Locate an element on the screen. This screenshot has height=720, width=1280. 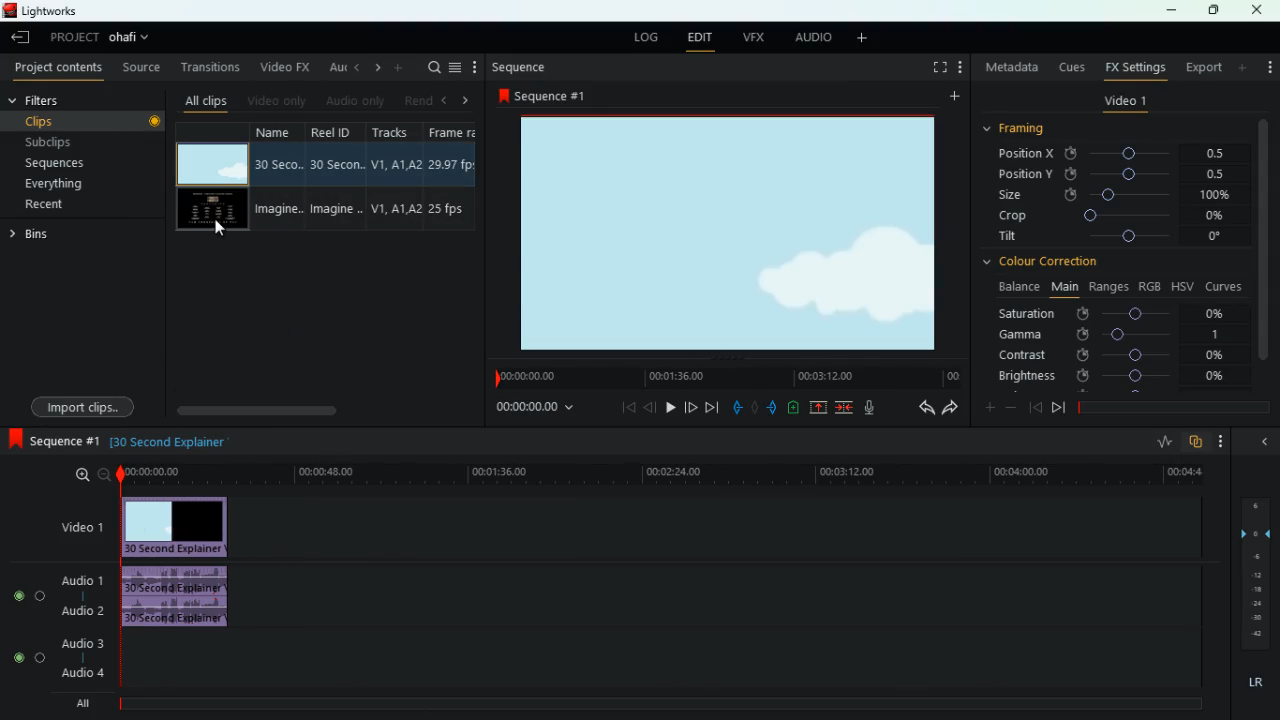
sequence is located at coordinates (521, 67).